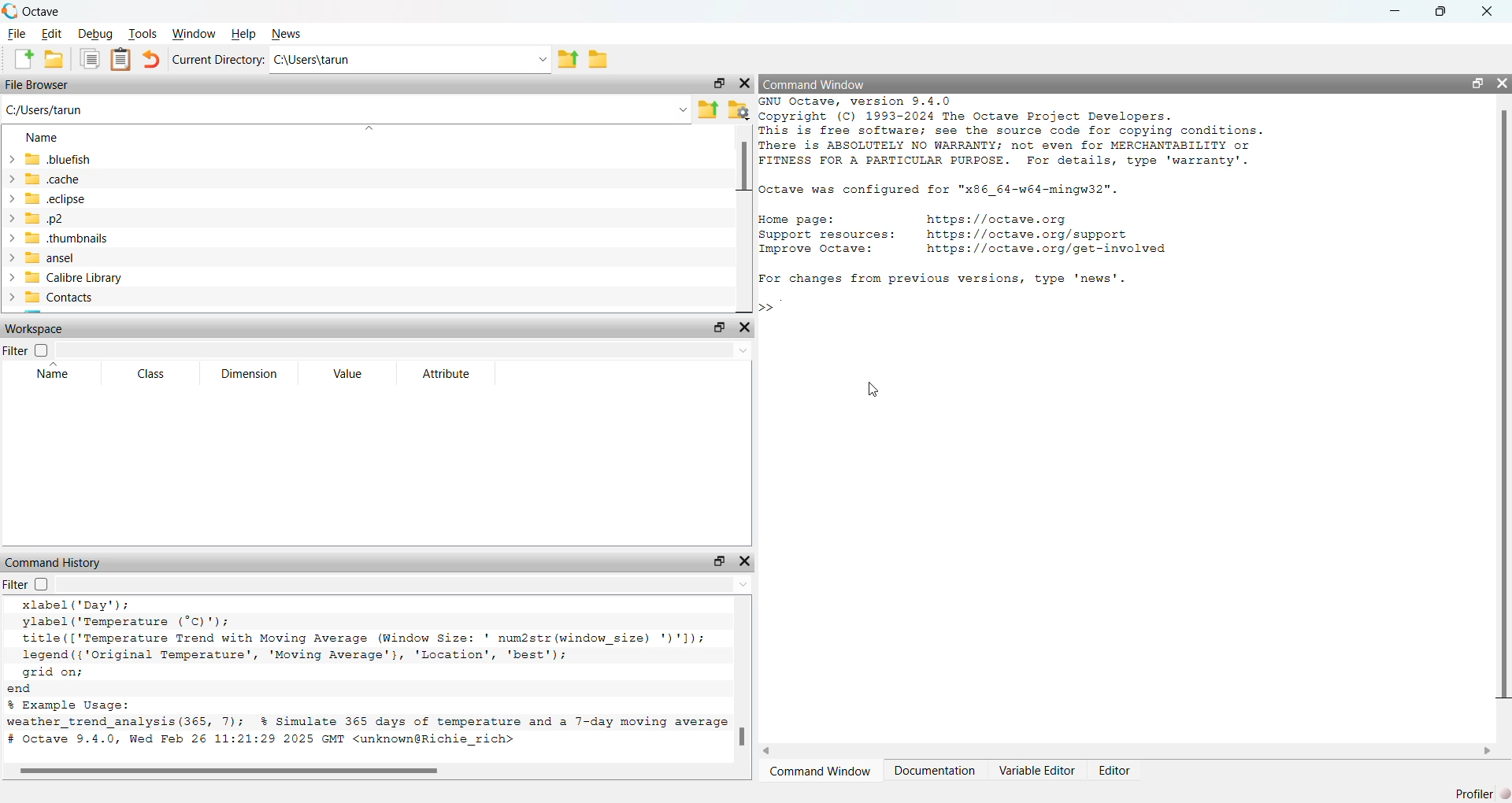  What do you see at coordinates (936, 771) in the screenshot?
I see `Documentation` at bounding box center [936, 771].